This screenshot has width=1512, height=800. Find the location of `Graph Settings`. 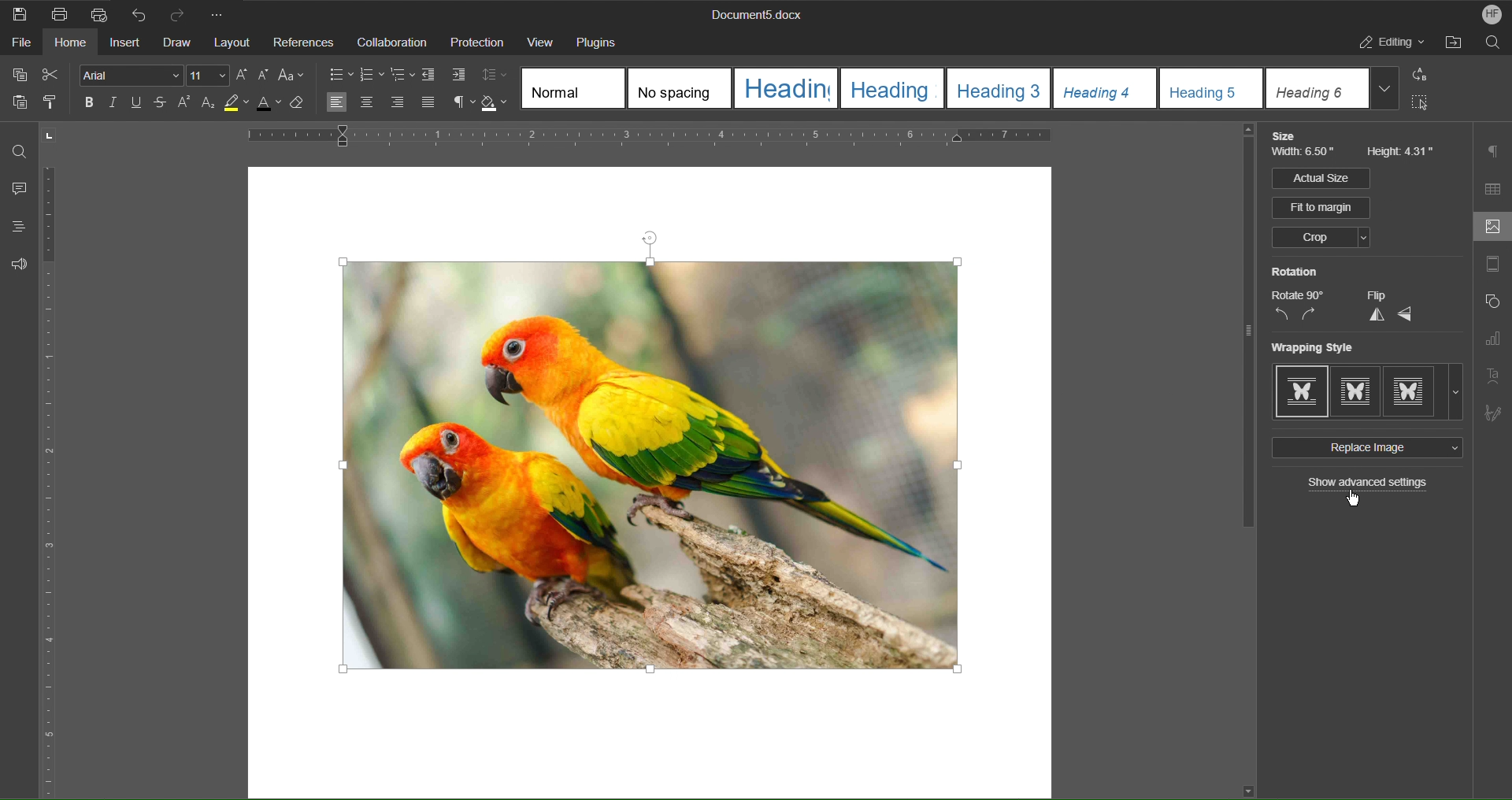

Graph Settings is located at coordinates (1492, 342).